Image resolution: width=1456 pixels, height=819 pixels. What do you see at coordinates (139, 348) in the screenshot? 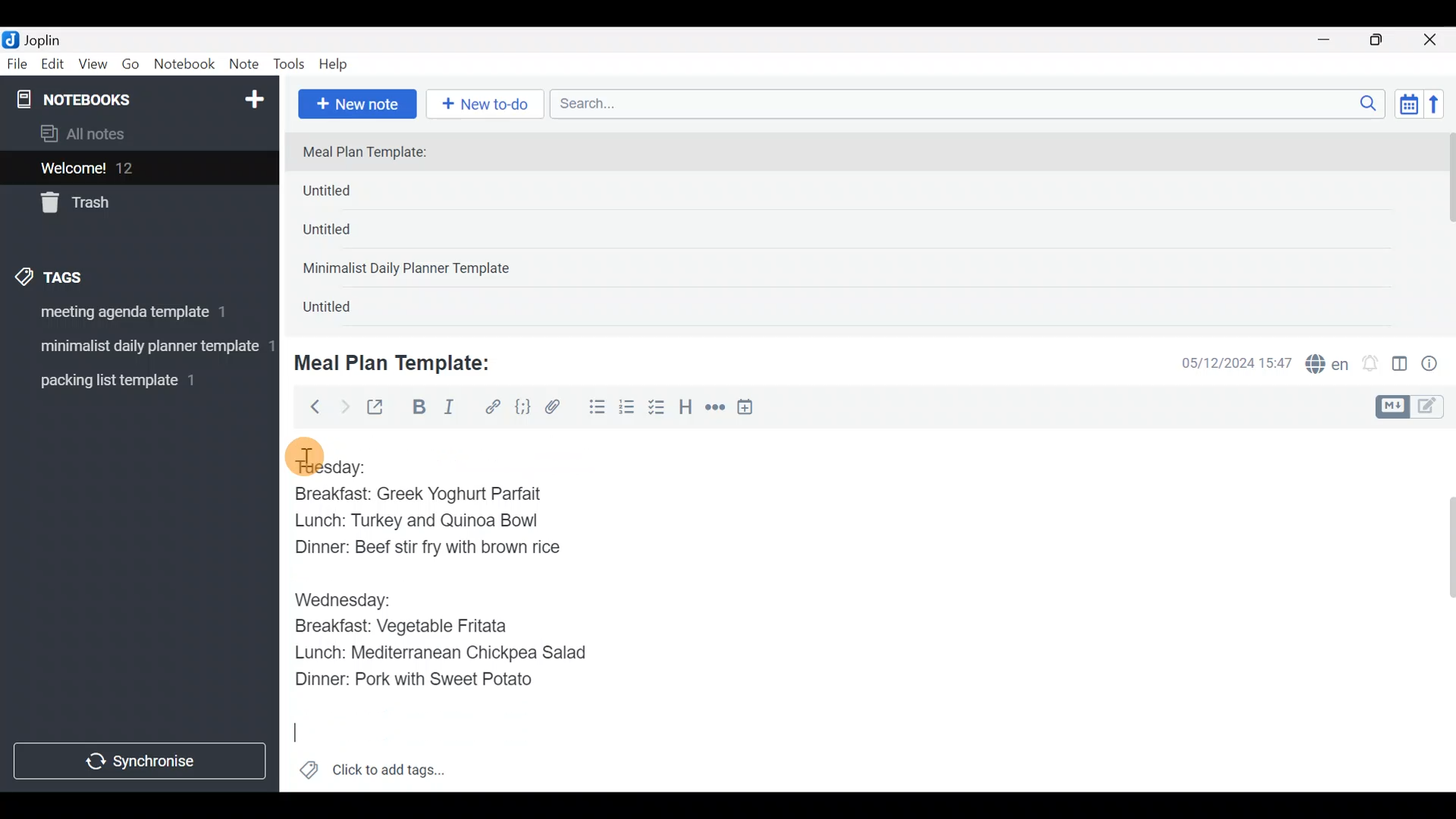
I see `Tag 2` at bounding box center [139, 348].